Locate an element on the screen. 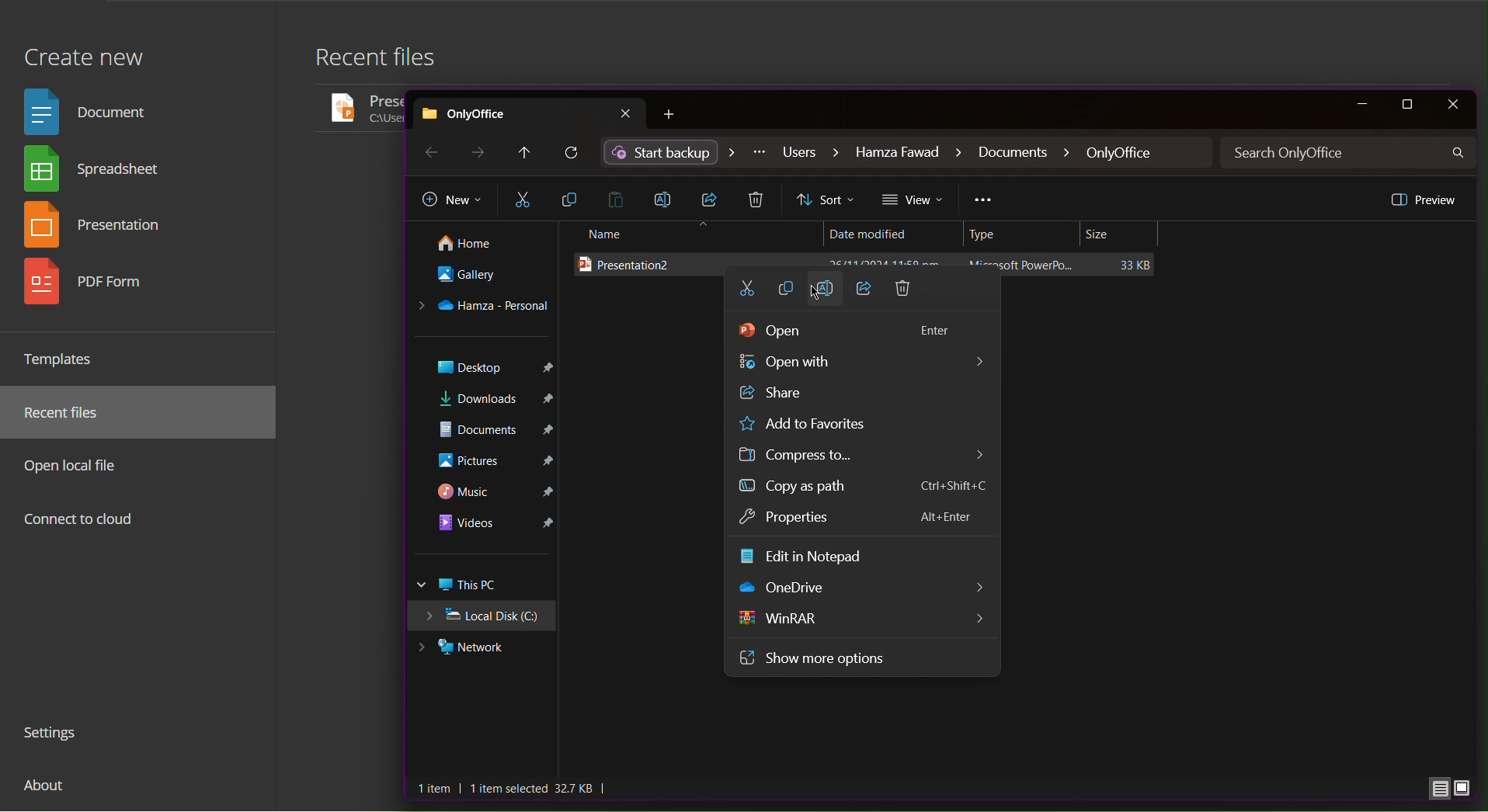 This screenshot has height=812, width=1488. Recent Files is located at coordinates (71, 413).